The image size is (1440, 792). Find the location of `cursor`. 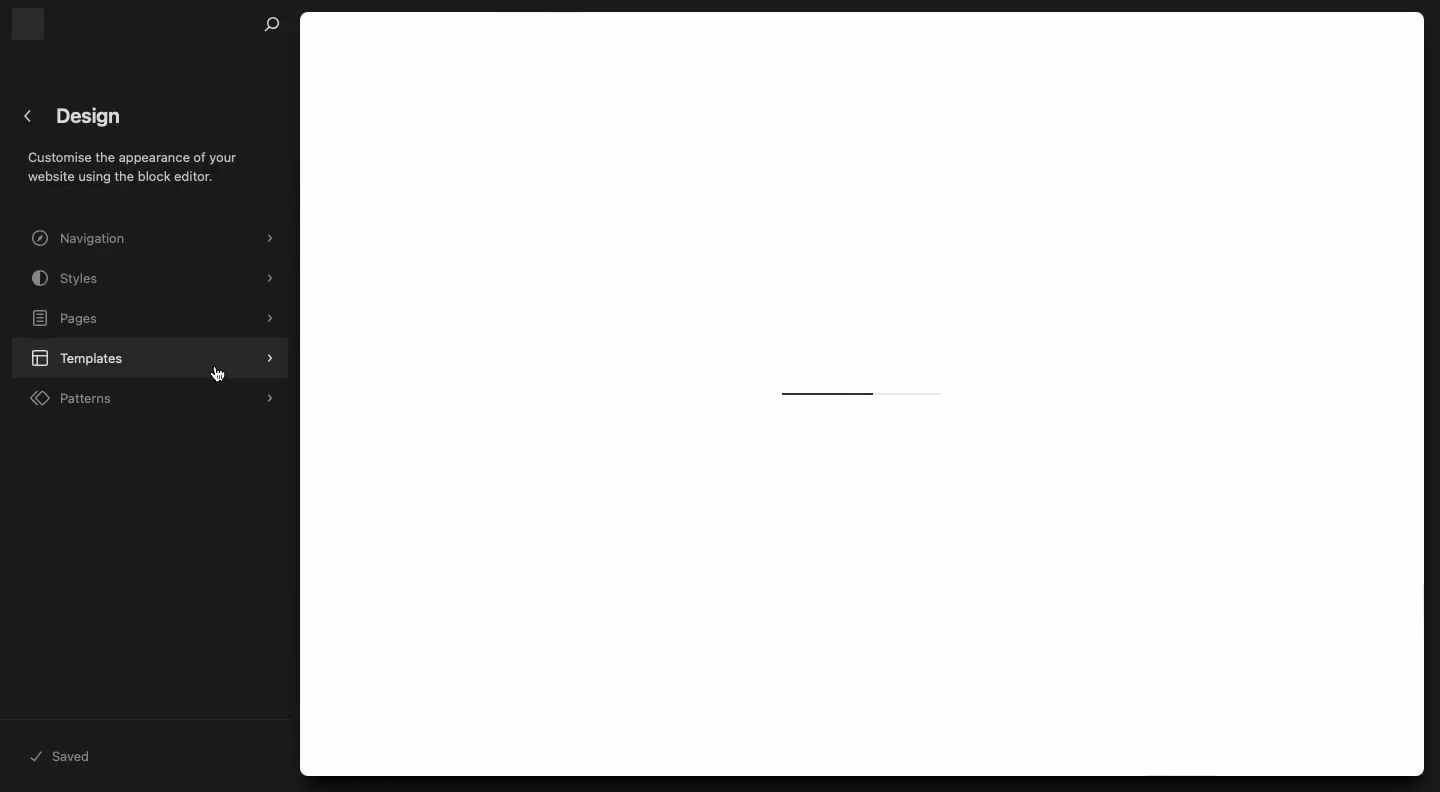

cursor is located at coordinates (220, 378).